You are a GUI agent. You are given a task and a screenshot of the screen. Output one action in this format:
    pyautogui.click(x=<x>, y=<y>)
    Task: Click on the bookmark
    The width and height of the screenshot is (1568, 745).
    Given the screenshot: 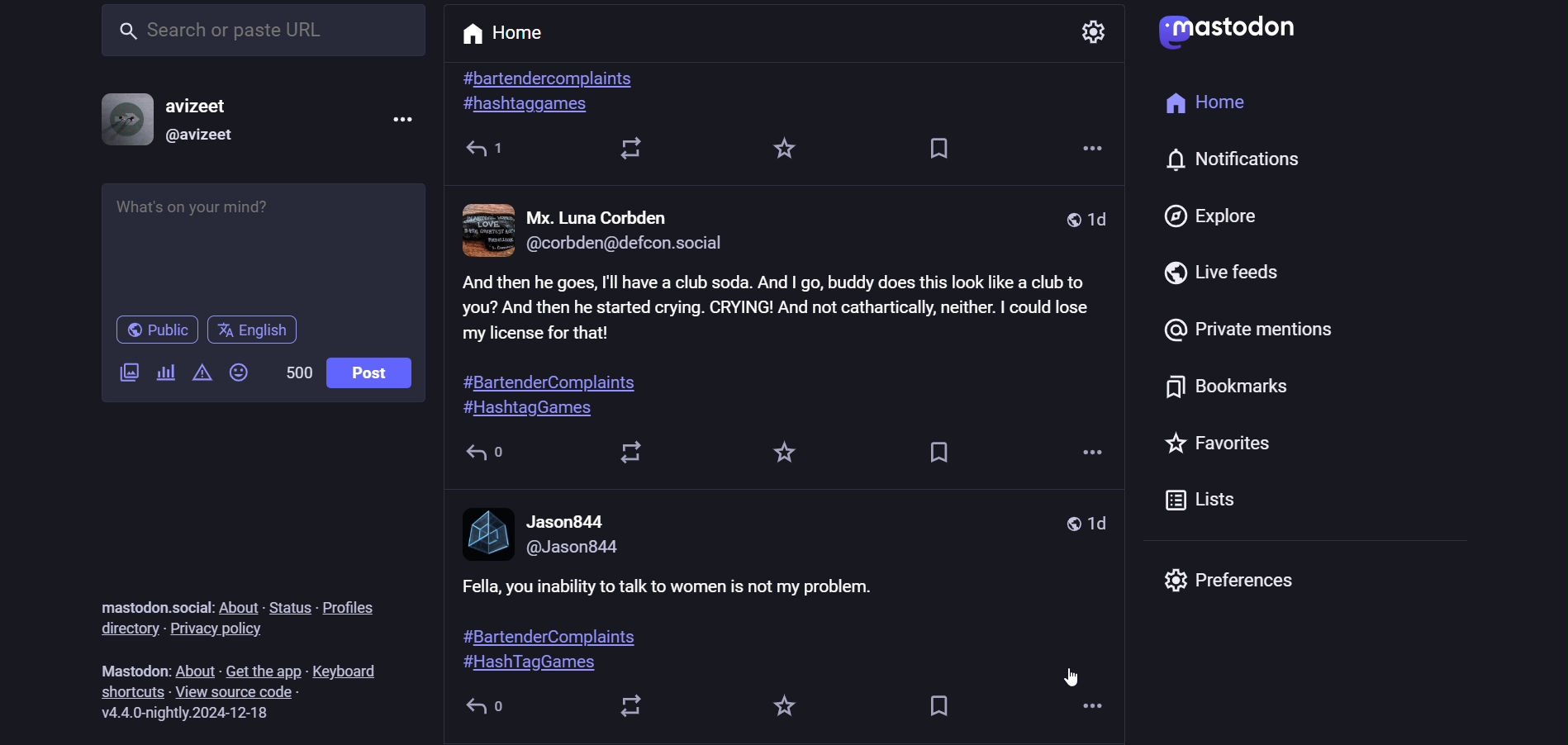 What is the action you would take?
    pyautogui.click(x=932, y=150)
    